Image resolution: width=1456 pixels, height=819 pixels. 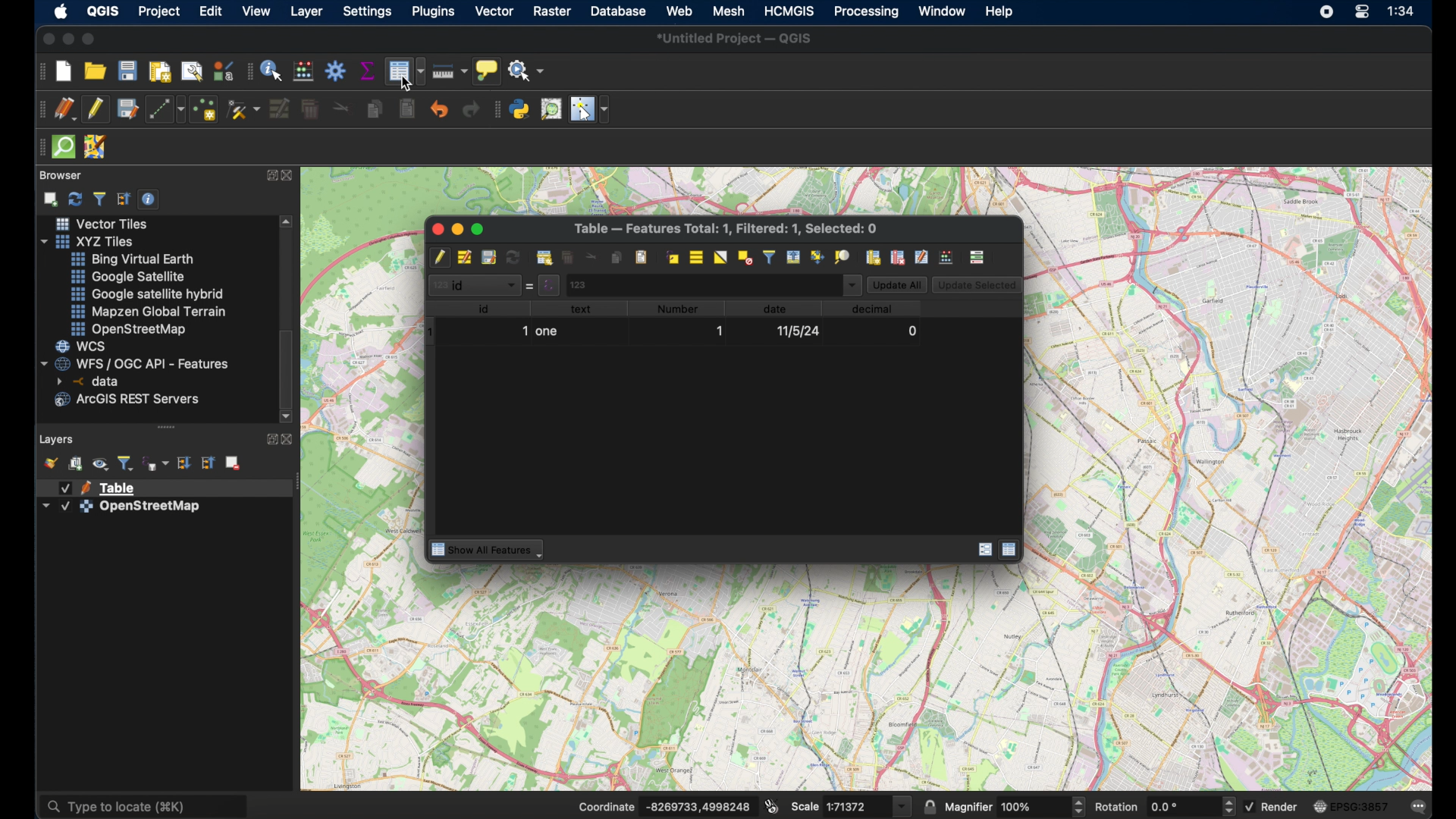 What do you see at coordinates (590, 255) in the screenshot?
I see `cut features` at bounding box center [590, 255].